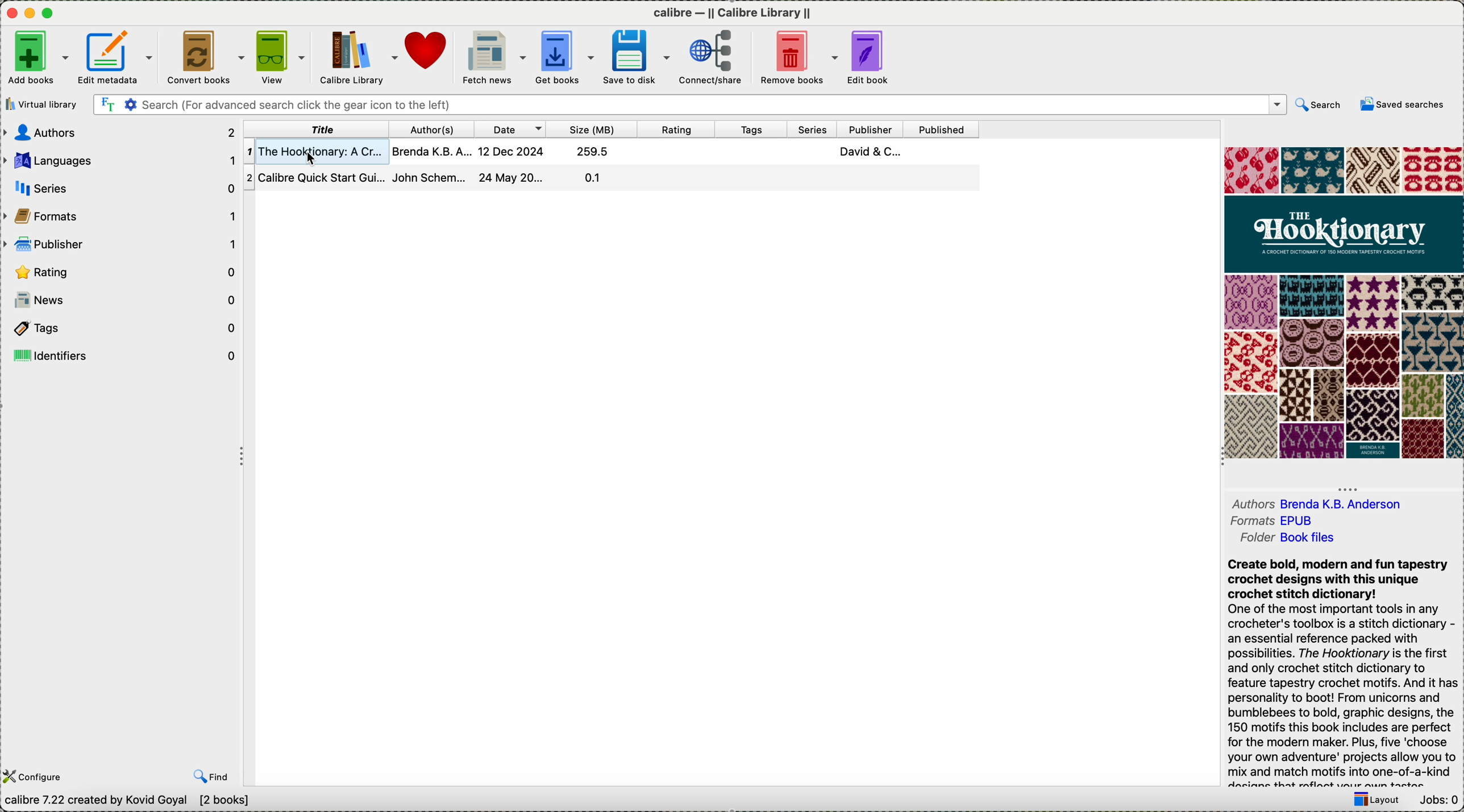  I want to click on close program, so click(12, 14).